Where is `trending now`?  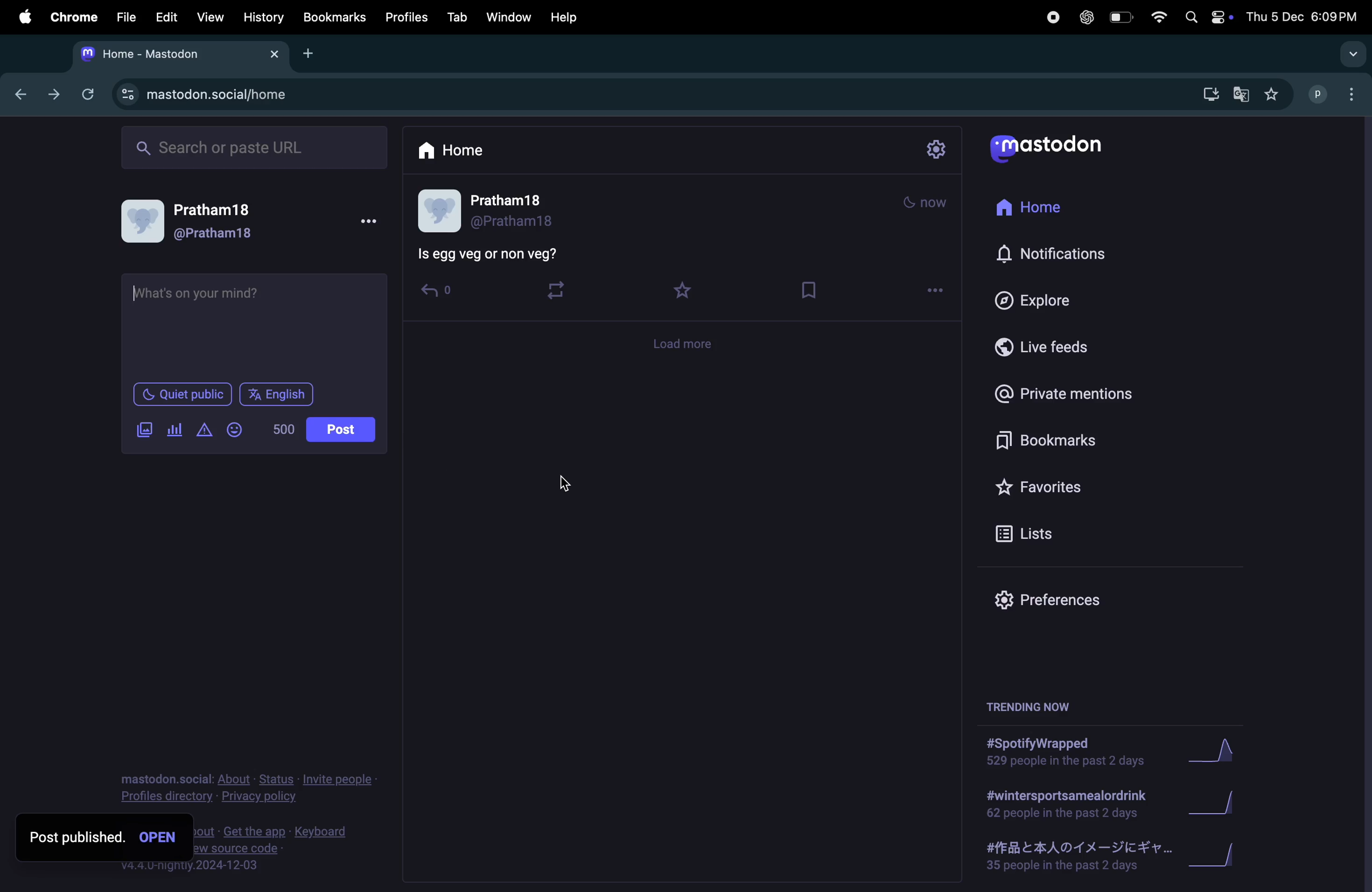
trending now is located at coordinates (1034, 701).